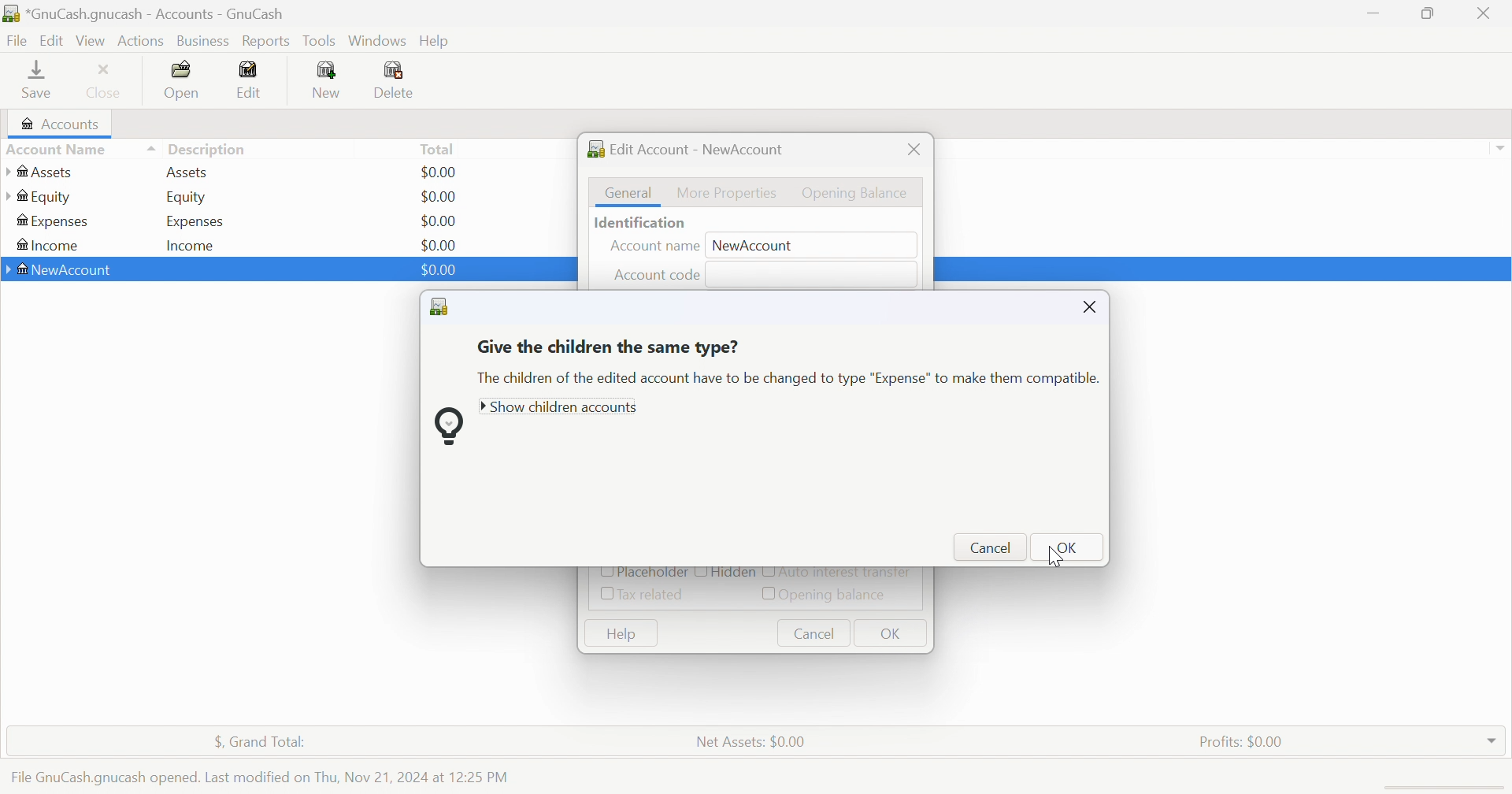 This screenshot has width=1512, height=794. Describe the element at coordinates (735, 574) in the screenshot. I see `Hidden` at that location.